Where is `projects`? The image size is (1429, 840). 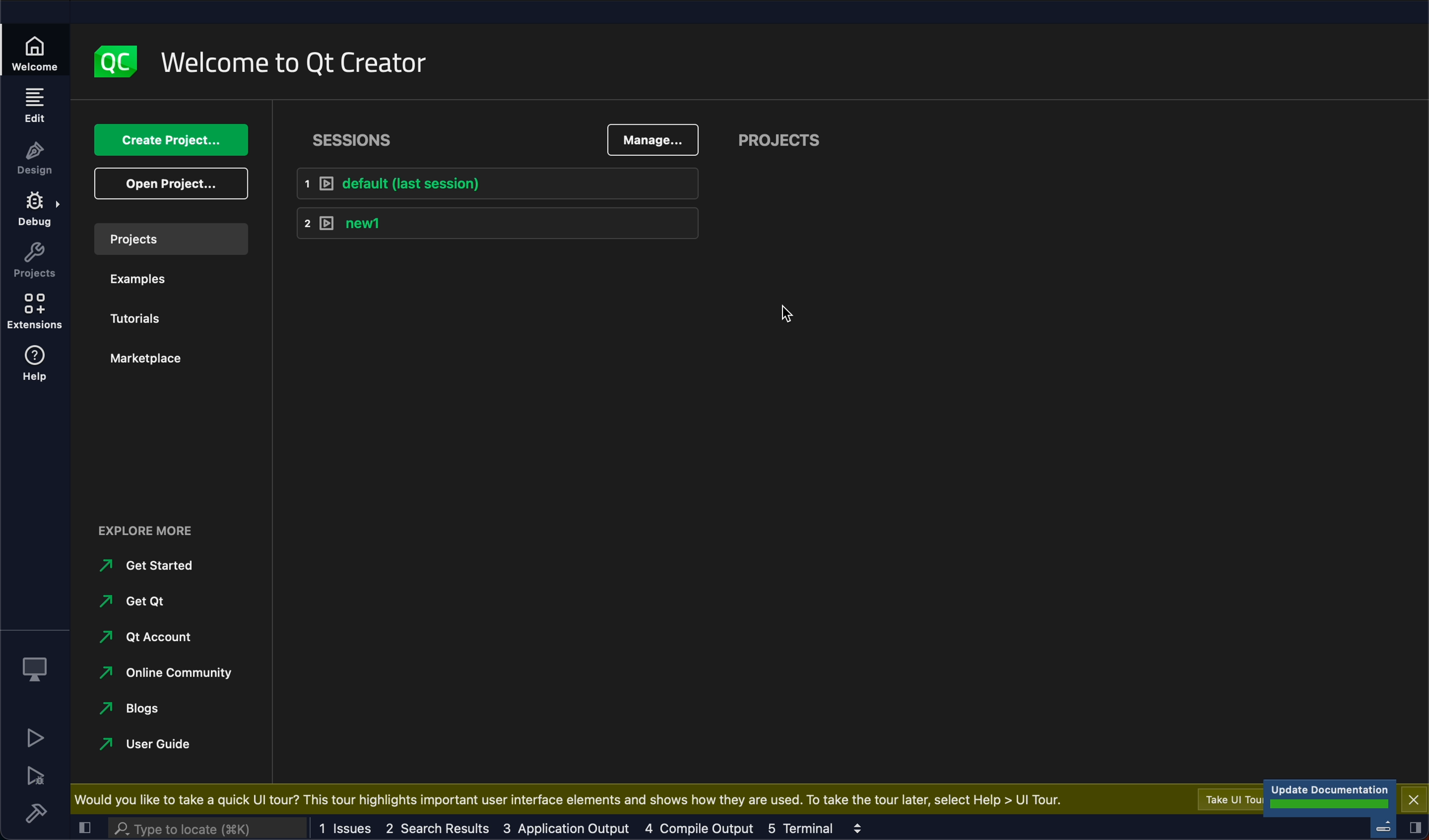 projects is located at coordinates (169, 239).